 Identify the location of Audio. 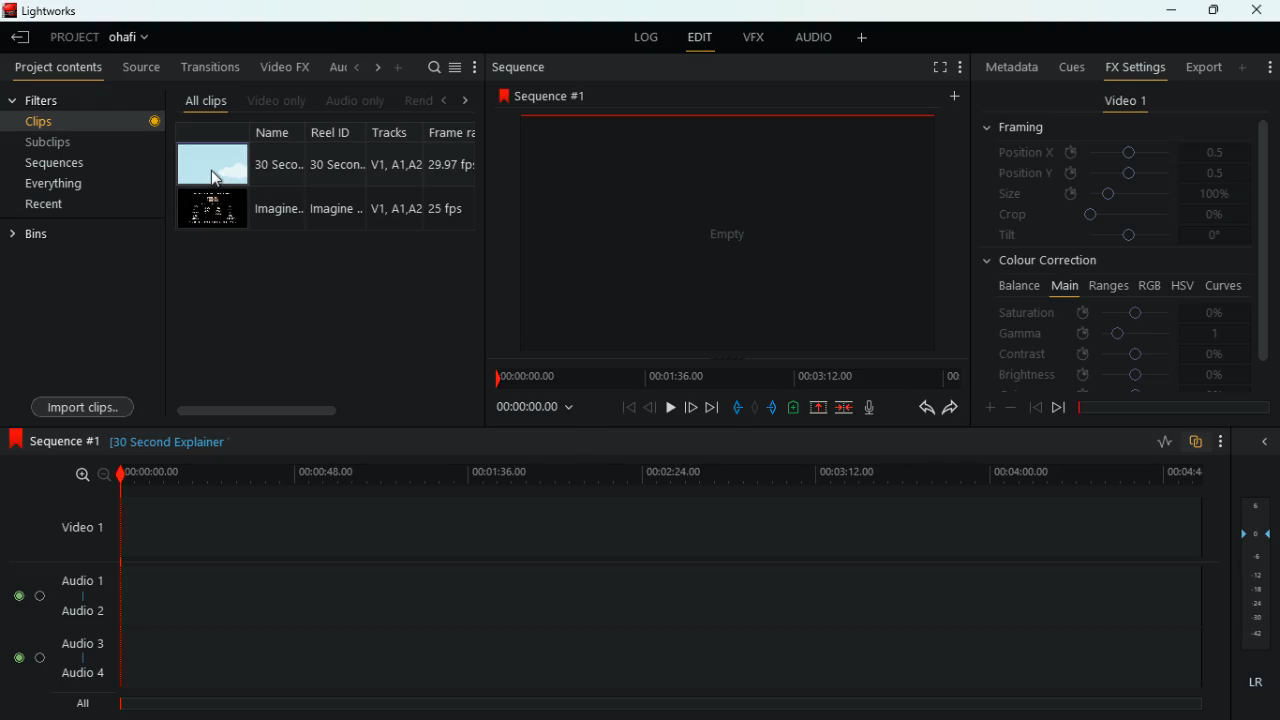
(28, 658).